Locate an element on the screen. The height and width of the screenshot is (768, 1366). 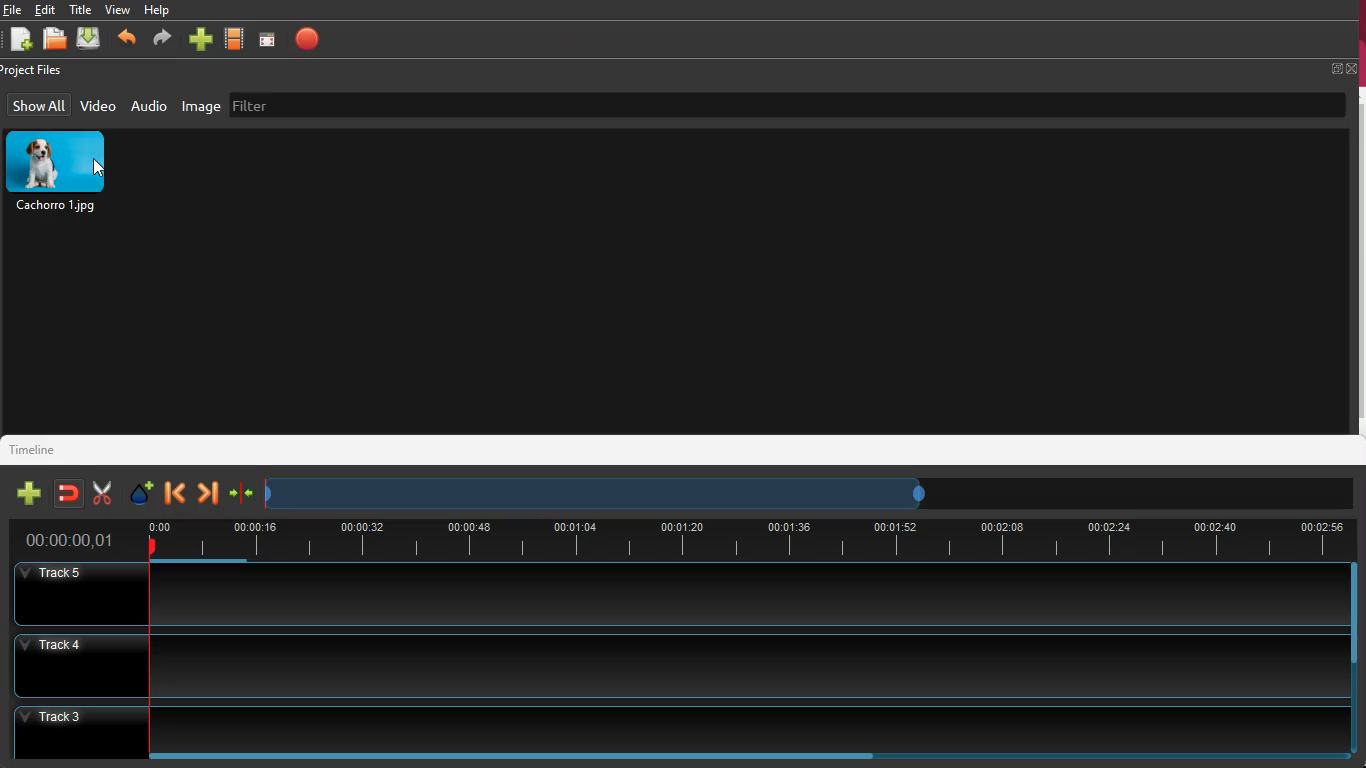
timeline is located at coordinates (36, 449).